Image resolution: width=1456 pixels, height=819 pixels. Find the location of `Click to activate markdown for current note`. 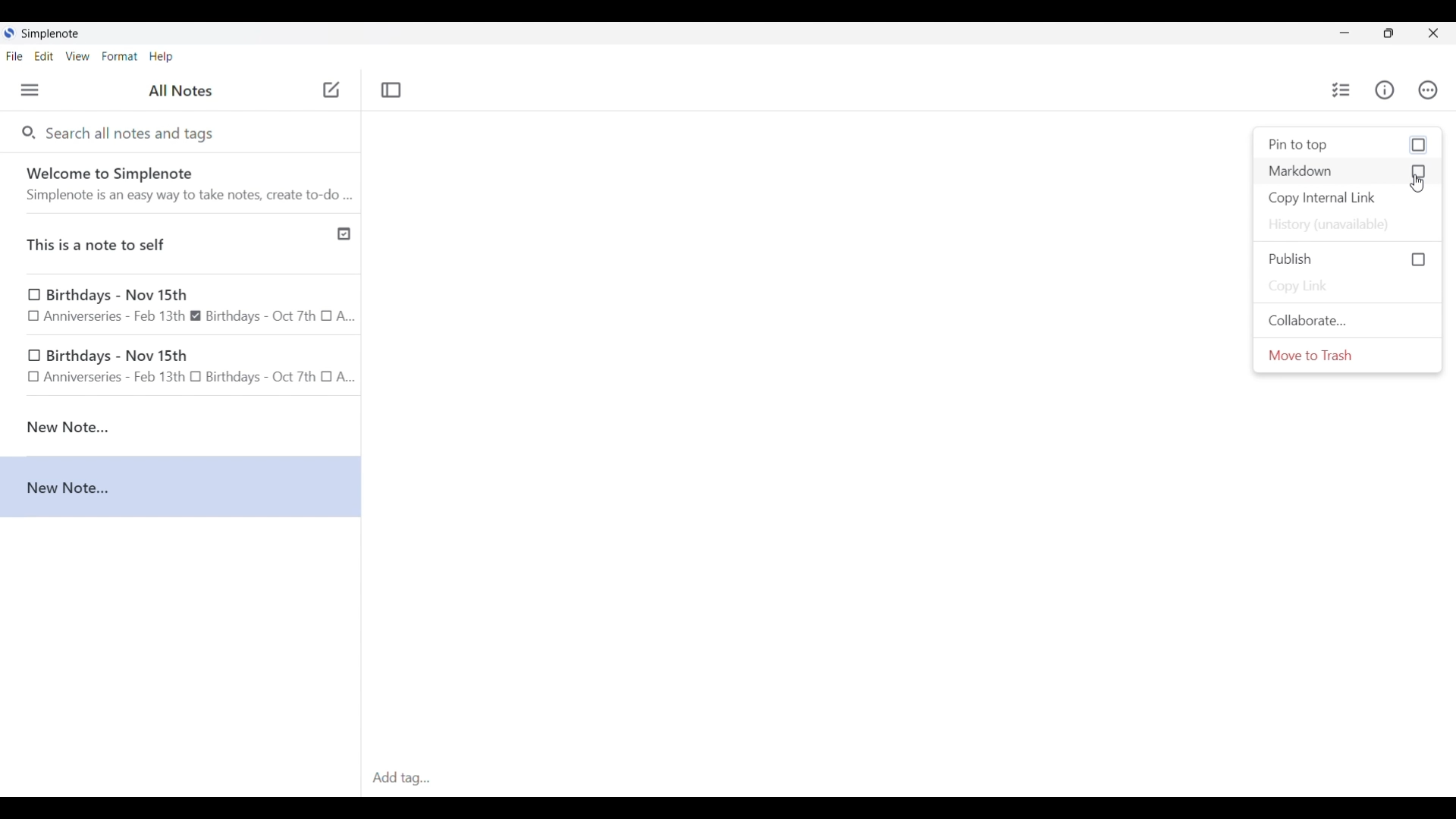

Click to activate markdown for current note is located at coordinates (1347, 171).